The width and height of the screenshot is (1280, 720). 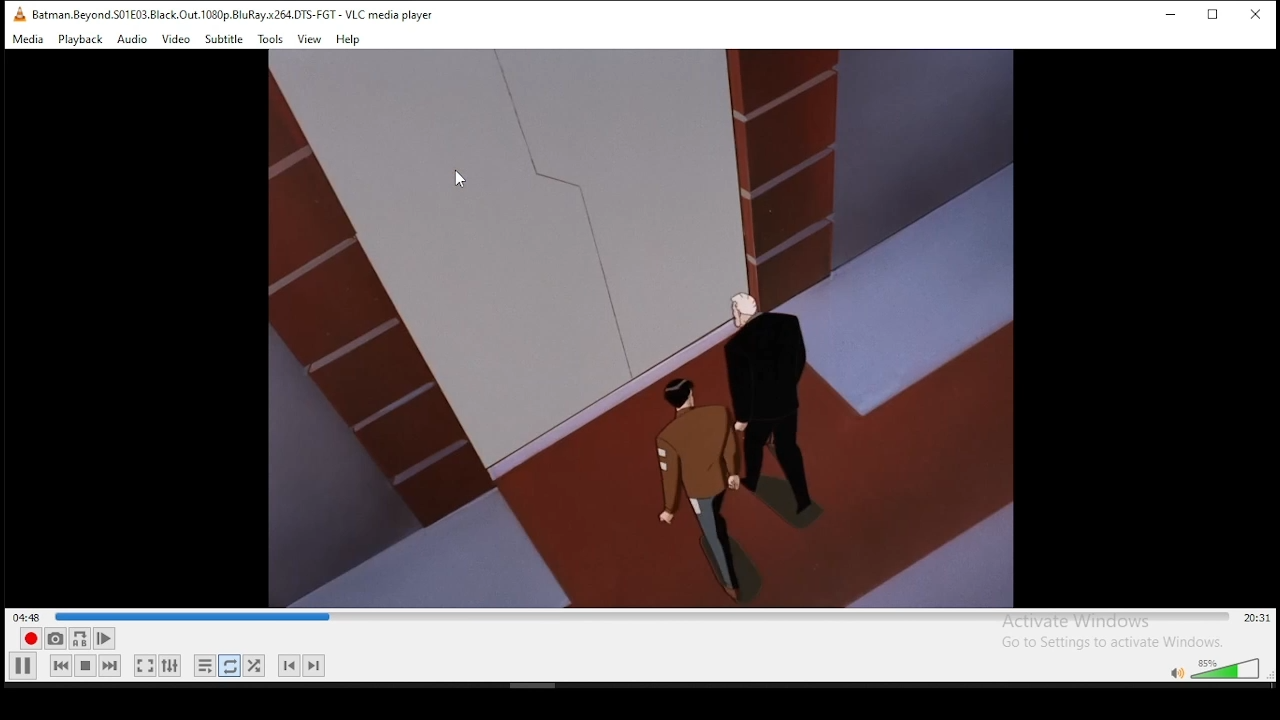 I want to click on cursor, so click(x=463, y=181).